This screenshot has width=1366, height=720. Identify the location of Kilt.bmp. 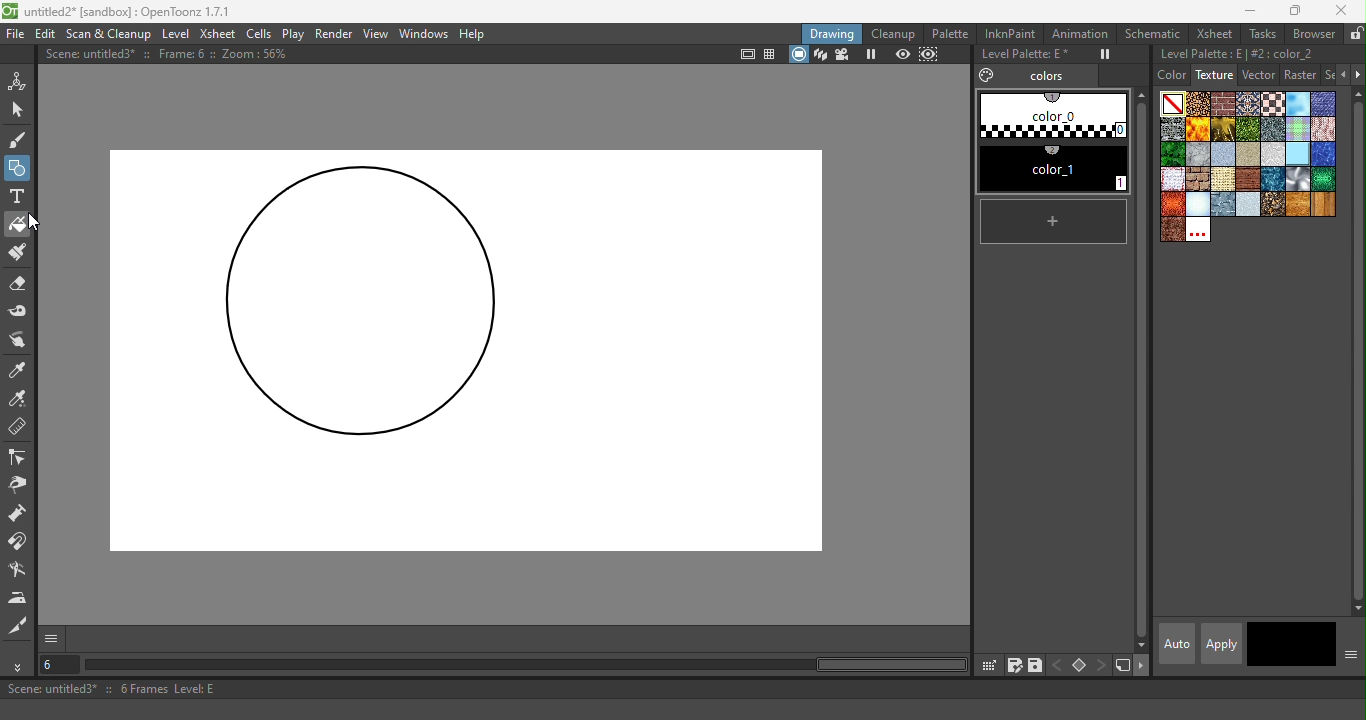
(1297, 129).